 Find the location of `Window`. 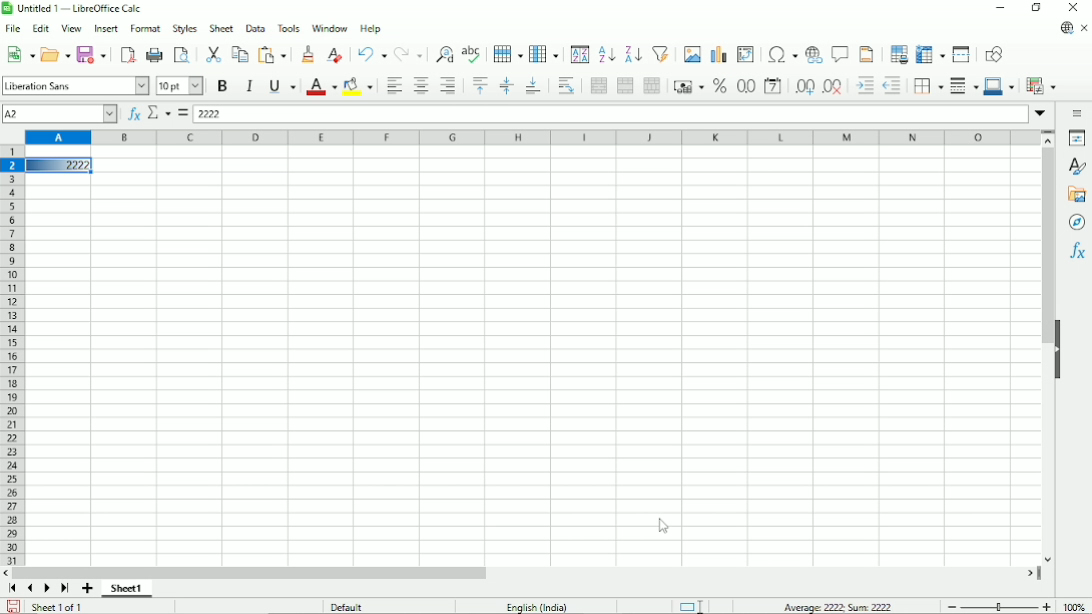

Window is located at coordinates (330, 28).